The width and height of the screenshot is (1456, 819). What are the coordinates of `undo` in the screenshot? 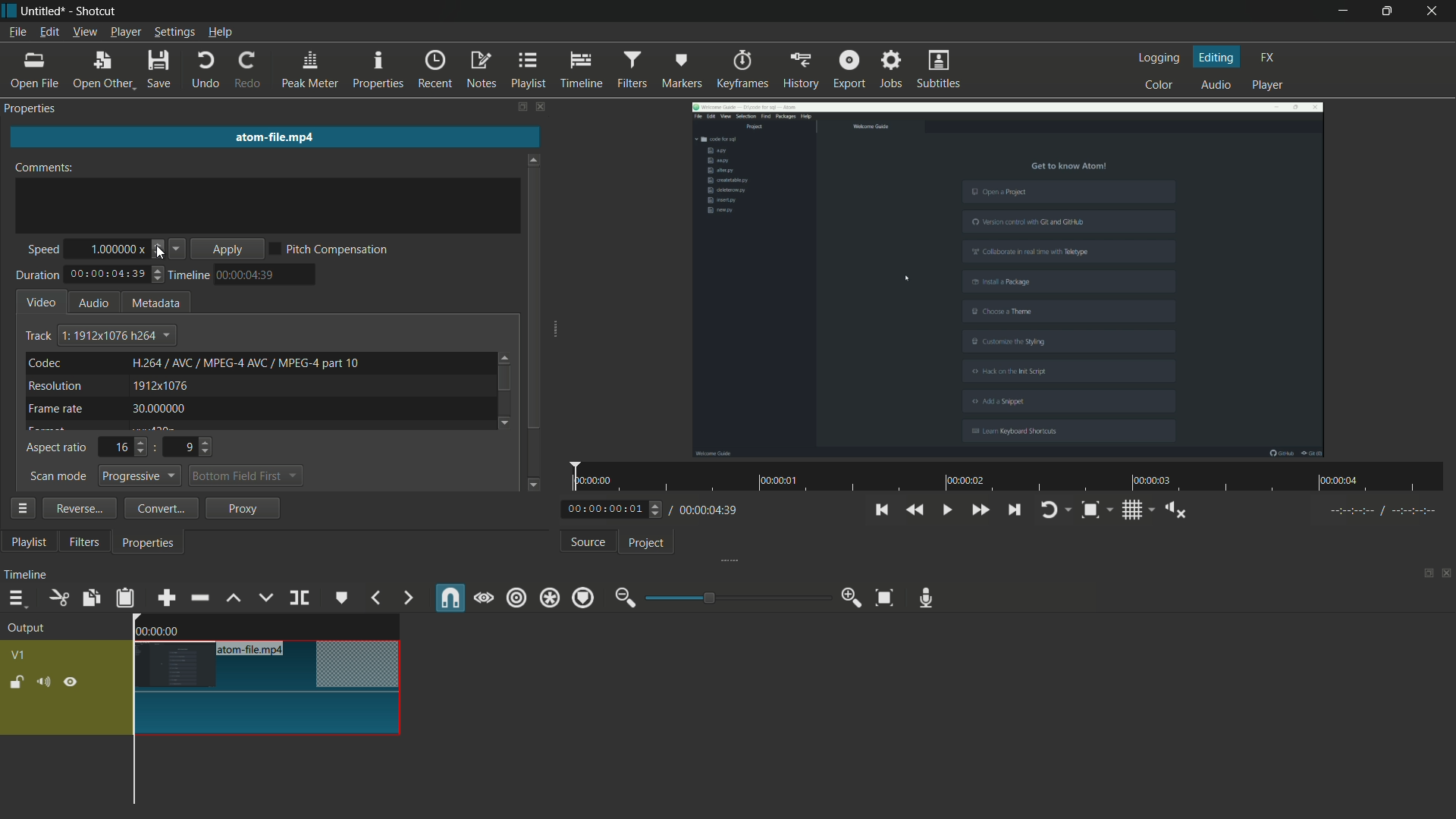 It's located at (203, 71).